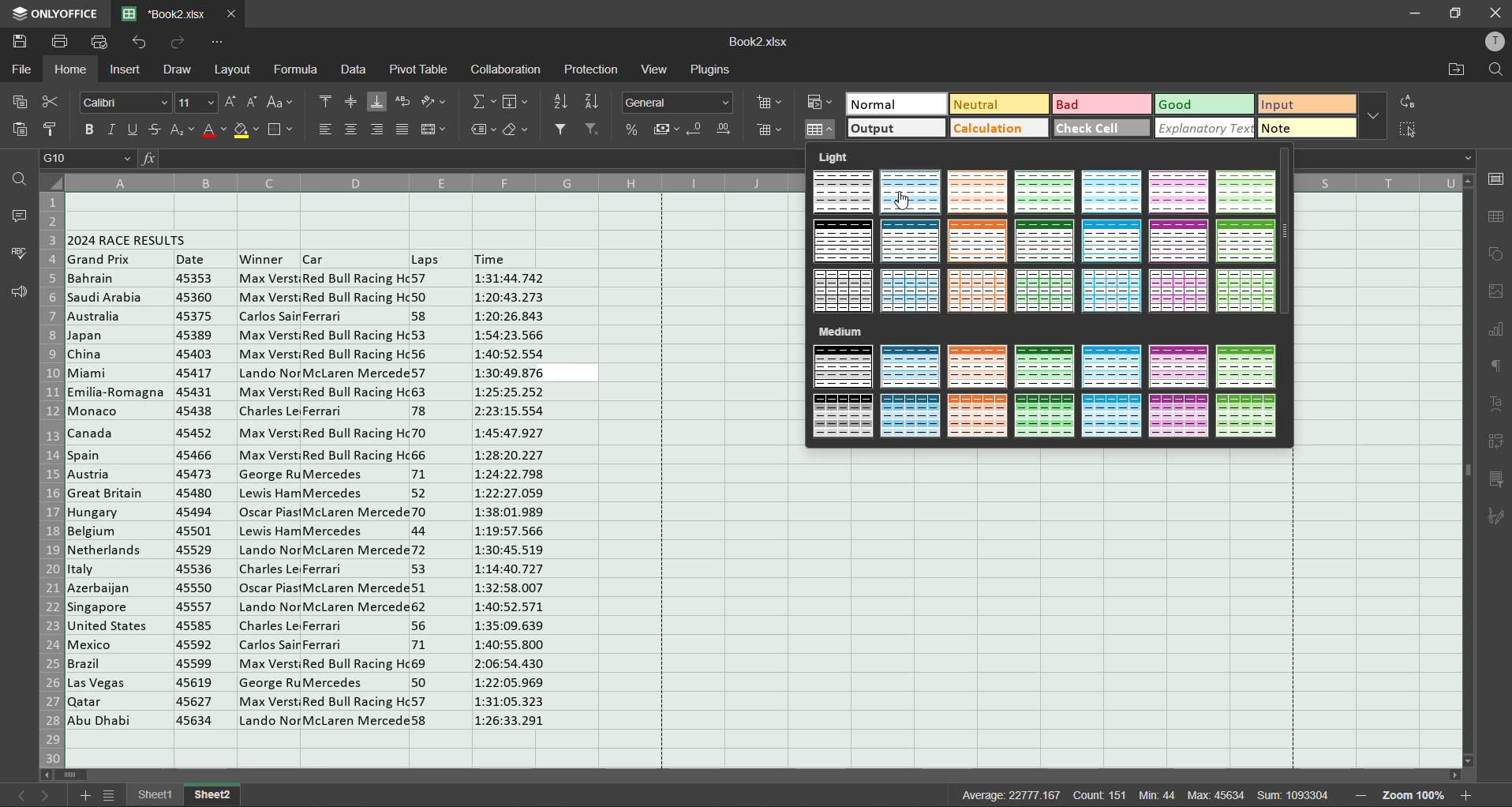 The image size is (1512, 807). Describe the element at coordinates (975, 192) in the screenshot. I see `table style light 3` at that location.